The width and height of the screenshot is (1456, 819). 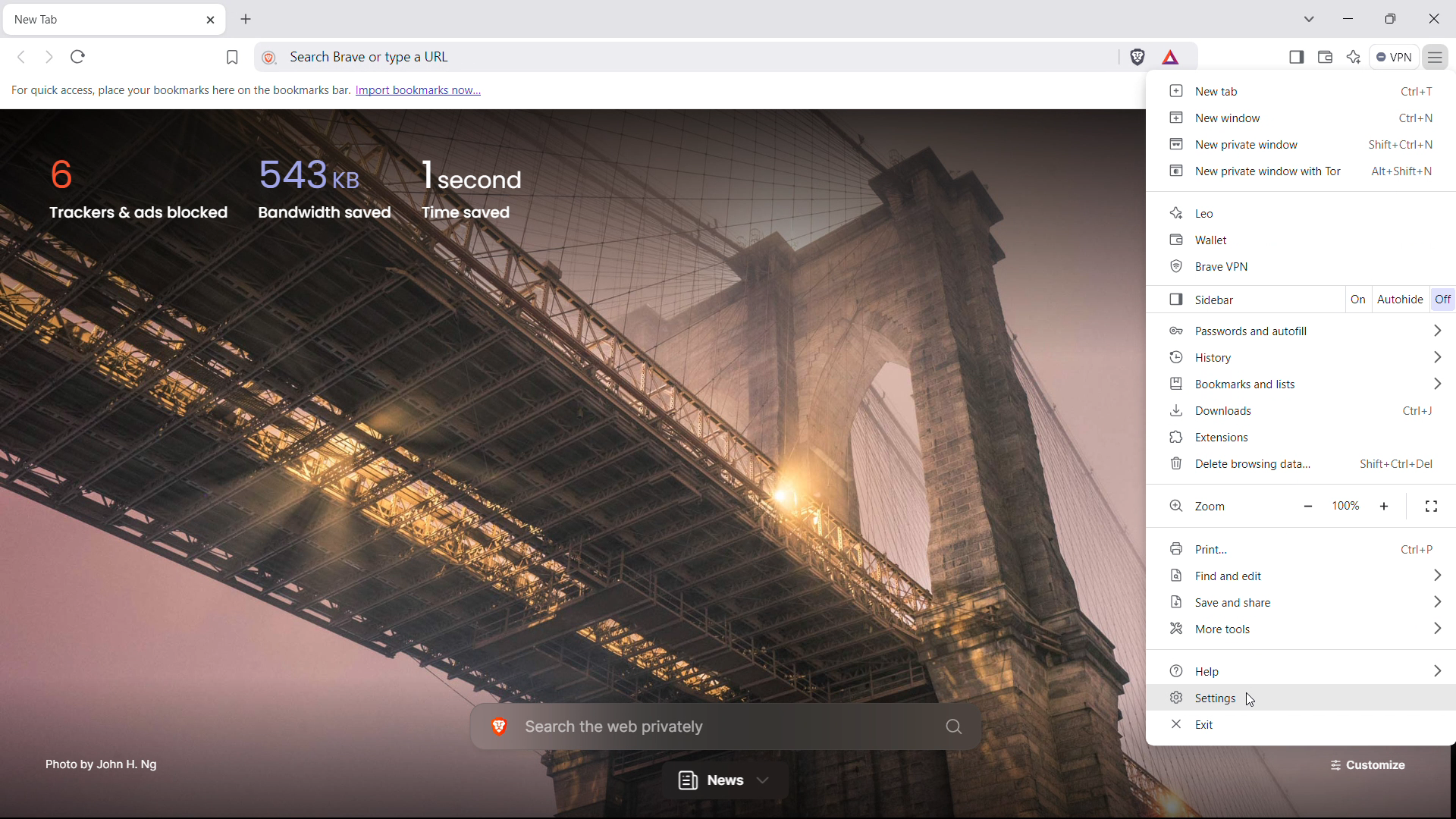 I want to click on open new tab, so click(x=246, y=20).